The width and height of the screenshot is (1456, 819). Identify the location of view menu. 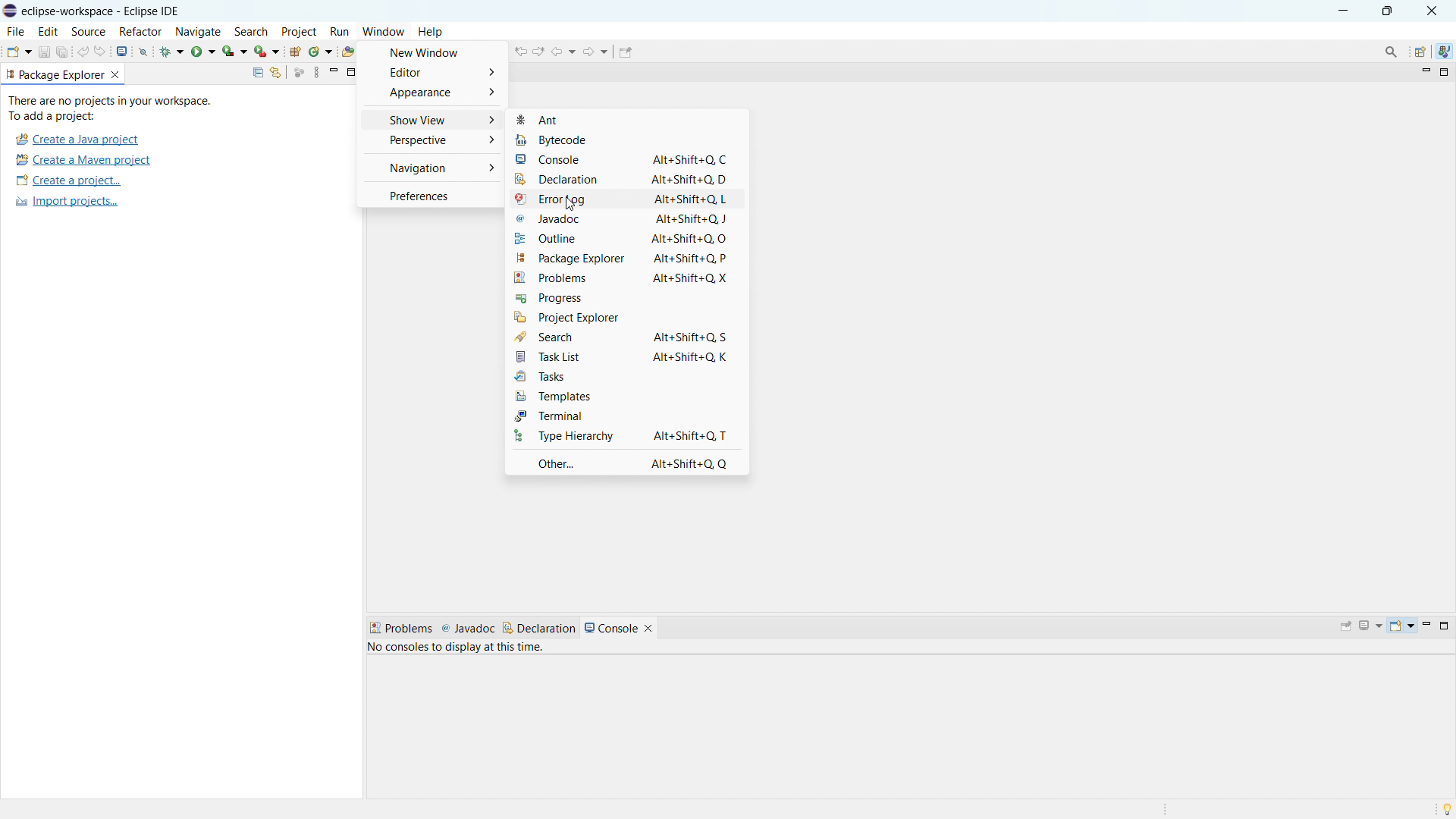
(315, 71).